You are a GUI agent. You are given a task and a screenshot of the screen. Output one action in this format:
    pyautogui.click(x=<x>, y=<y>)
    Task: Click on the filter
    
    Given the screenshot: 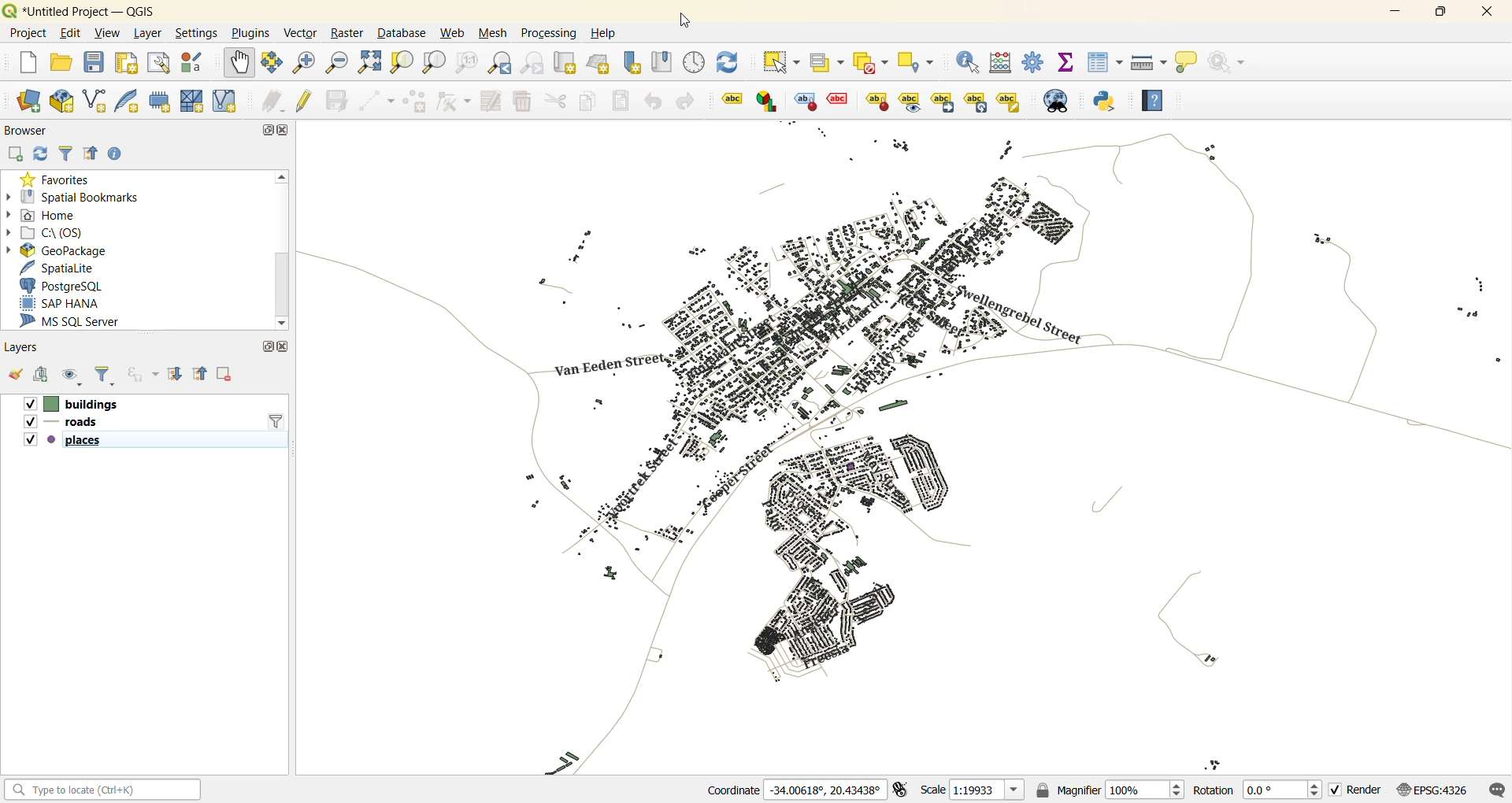 What is the action you would take?
    pyautogui.click(x=106, y=376)
    